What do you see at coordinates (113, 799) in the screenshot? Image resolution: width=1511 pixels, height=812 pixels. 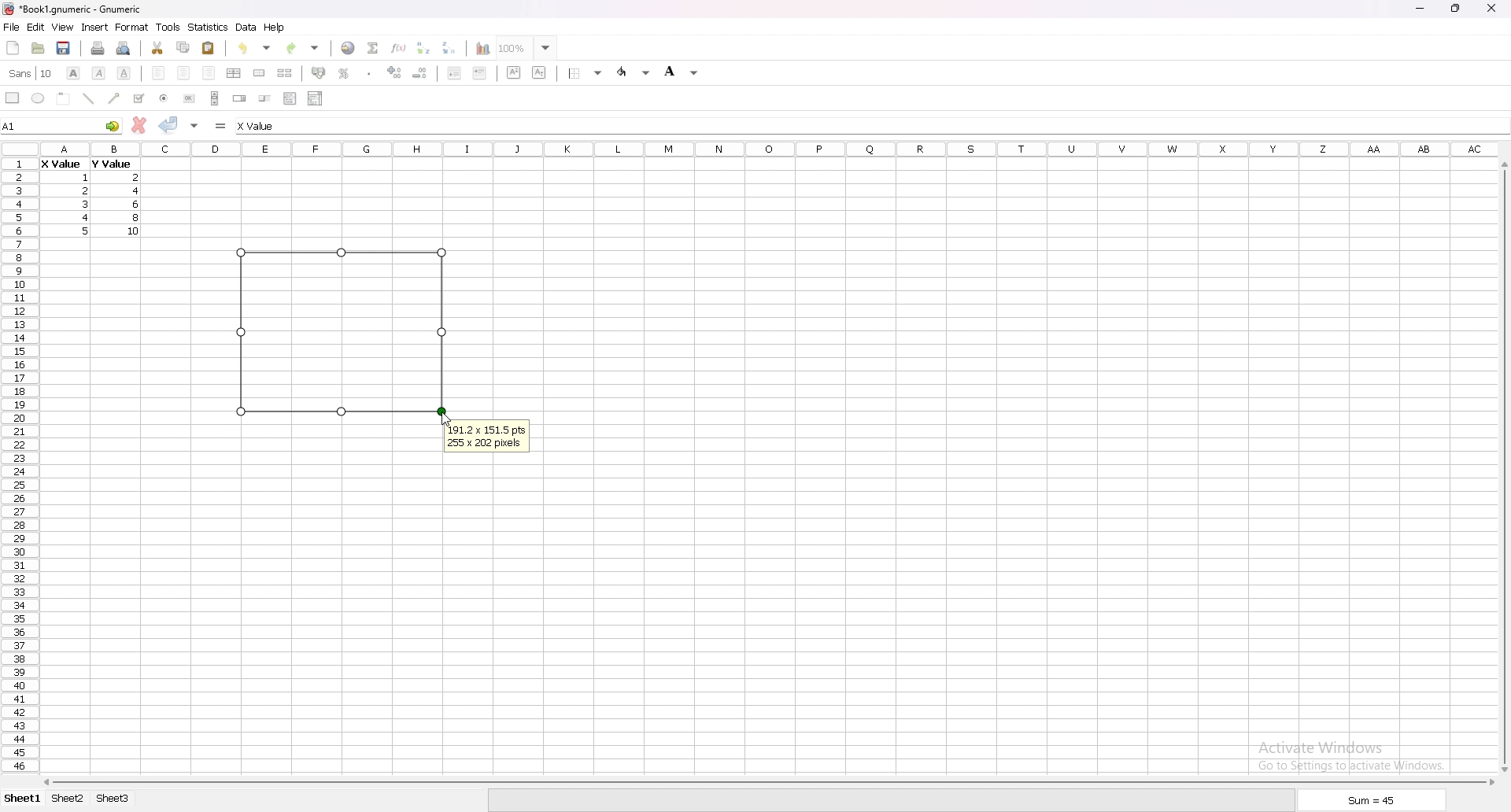 I see `sheet 3` at bounding box center [113, 799].